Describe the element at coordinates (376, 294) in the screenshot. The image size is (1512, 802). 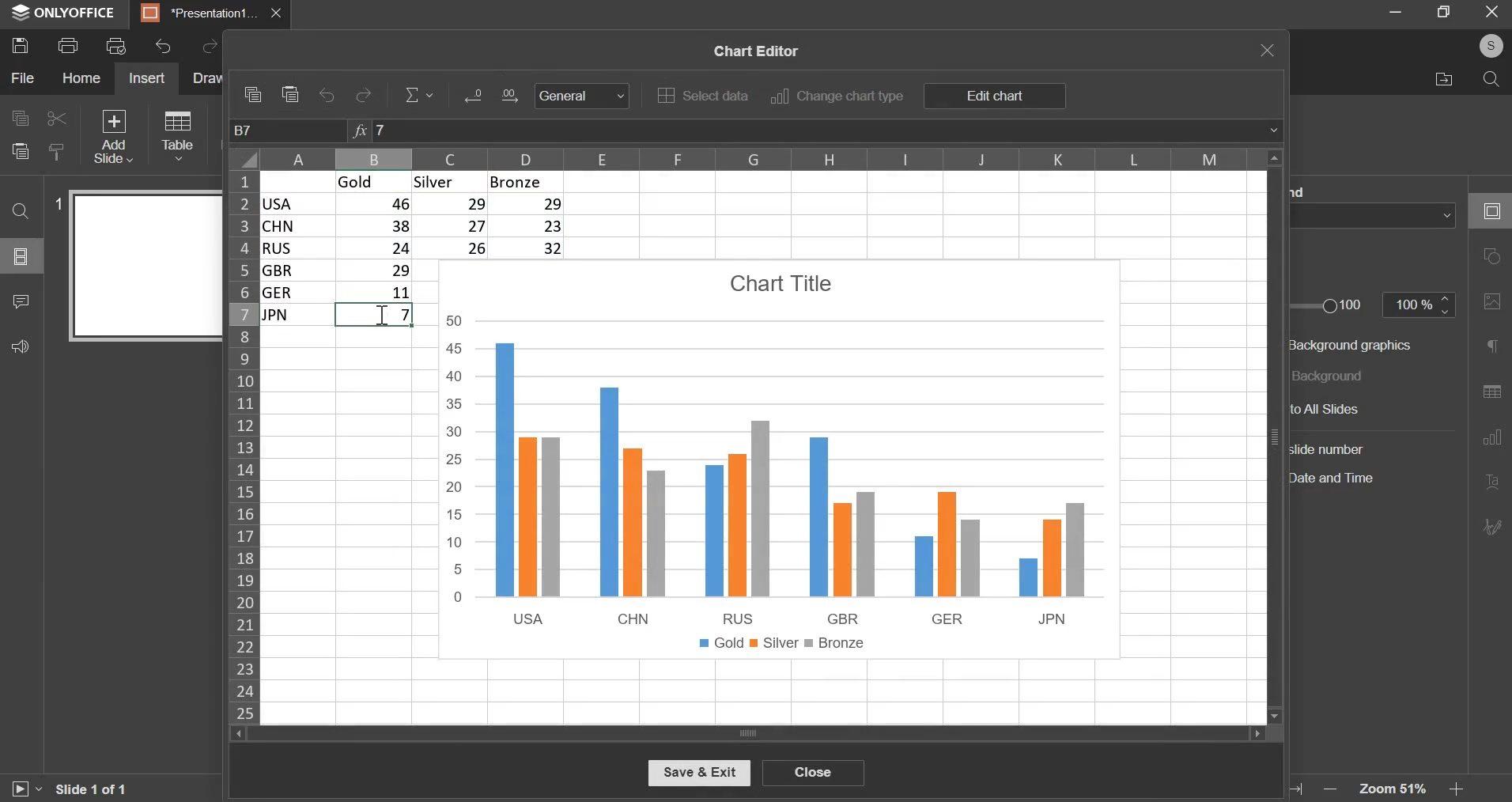
I see `11` at that location.